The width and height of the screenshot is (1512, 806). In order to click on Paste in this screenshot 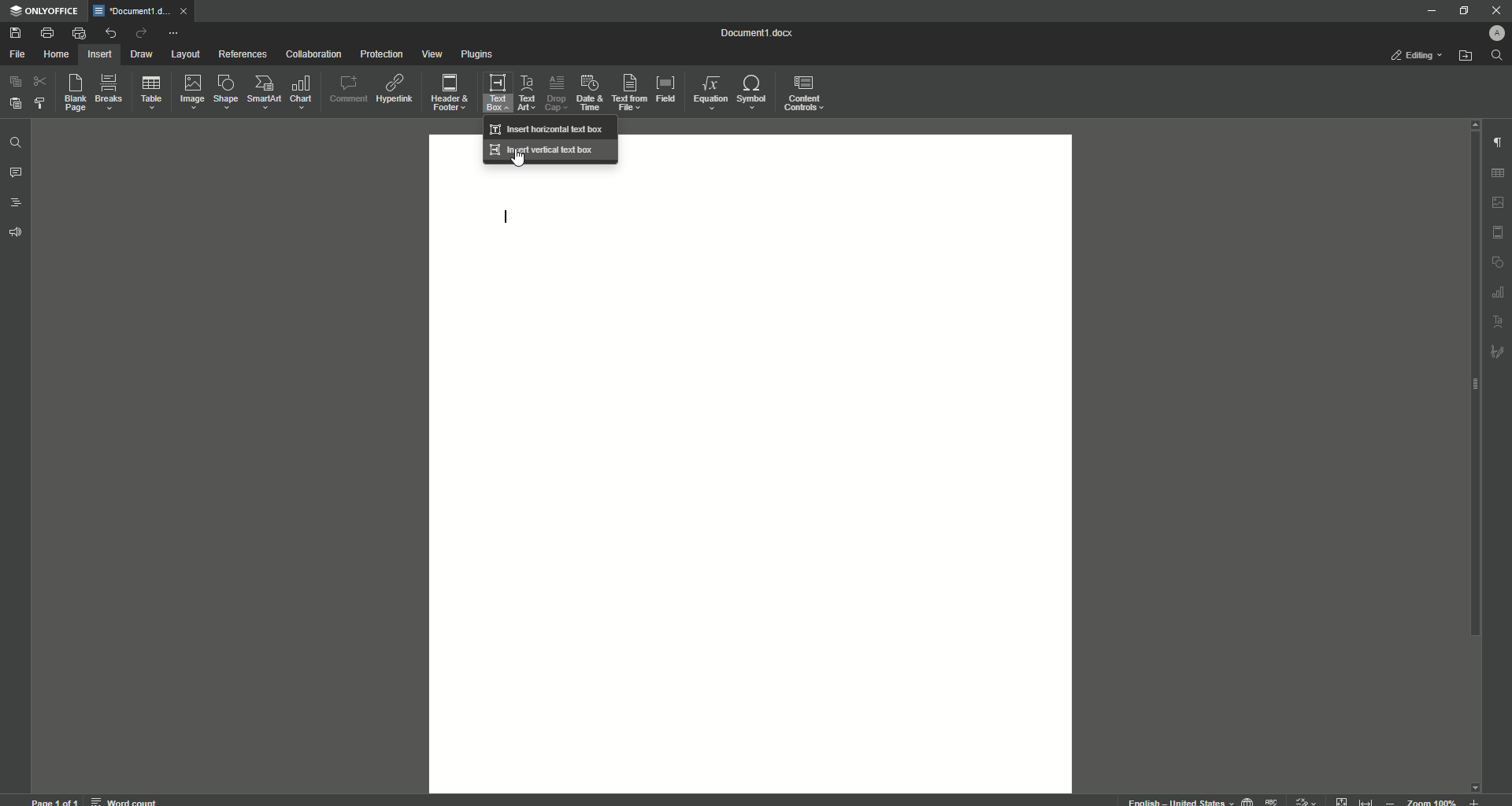, I will do `click(14, 102)`.